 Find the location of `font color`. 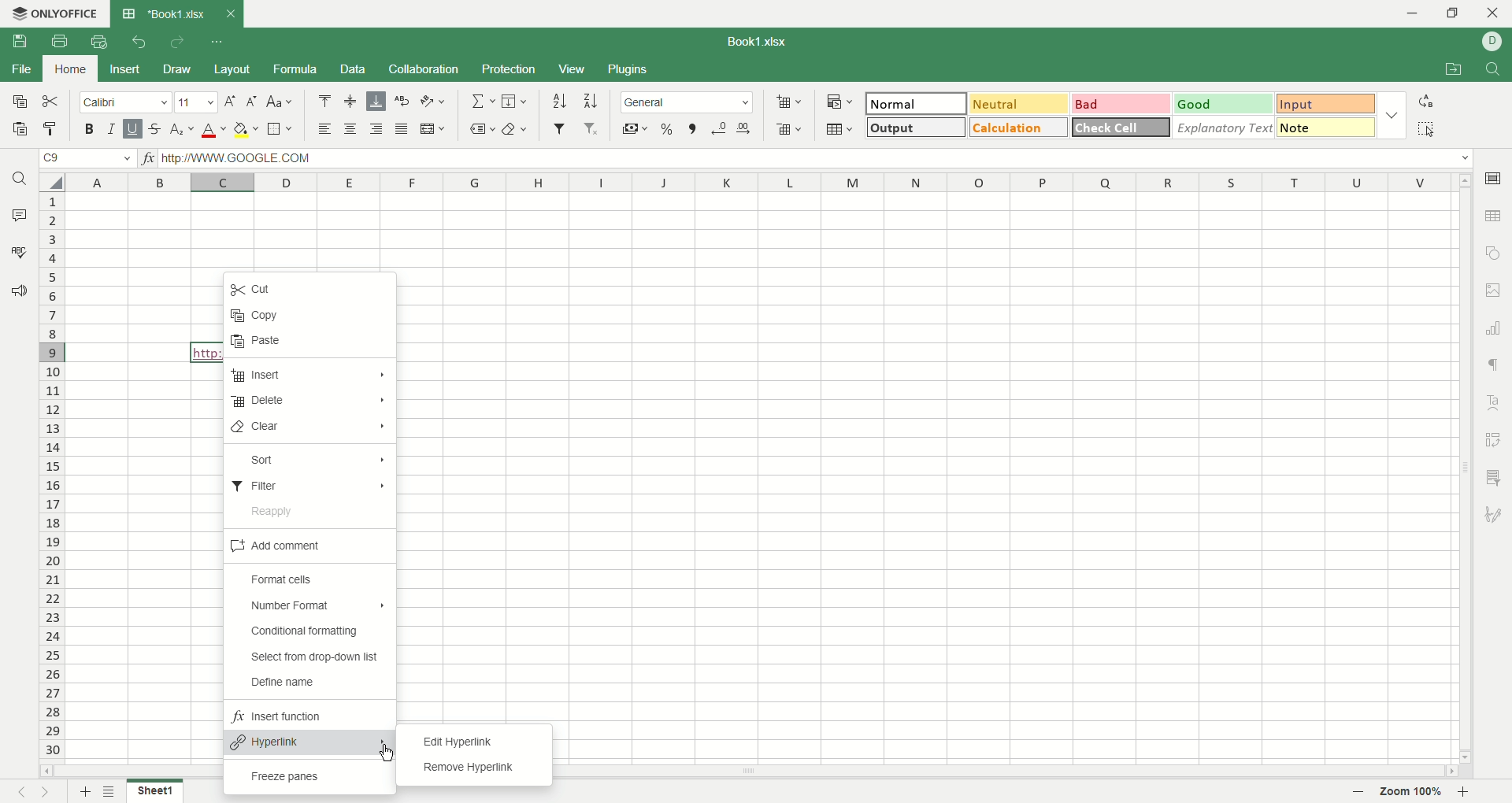

font color is located at coordinates (216, 129).